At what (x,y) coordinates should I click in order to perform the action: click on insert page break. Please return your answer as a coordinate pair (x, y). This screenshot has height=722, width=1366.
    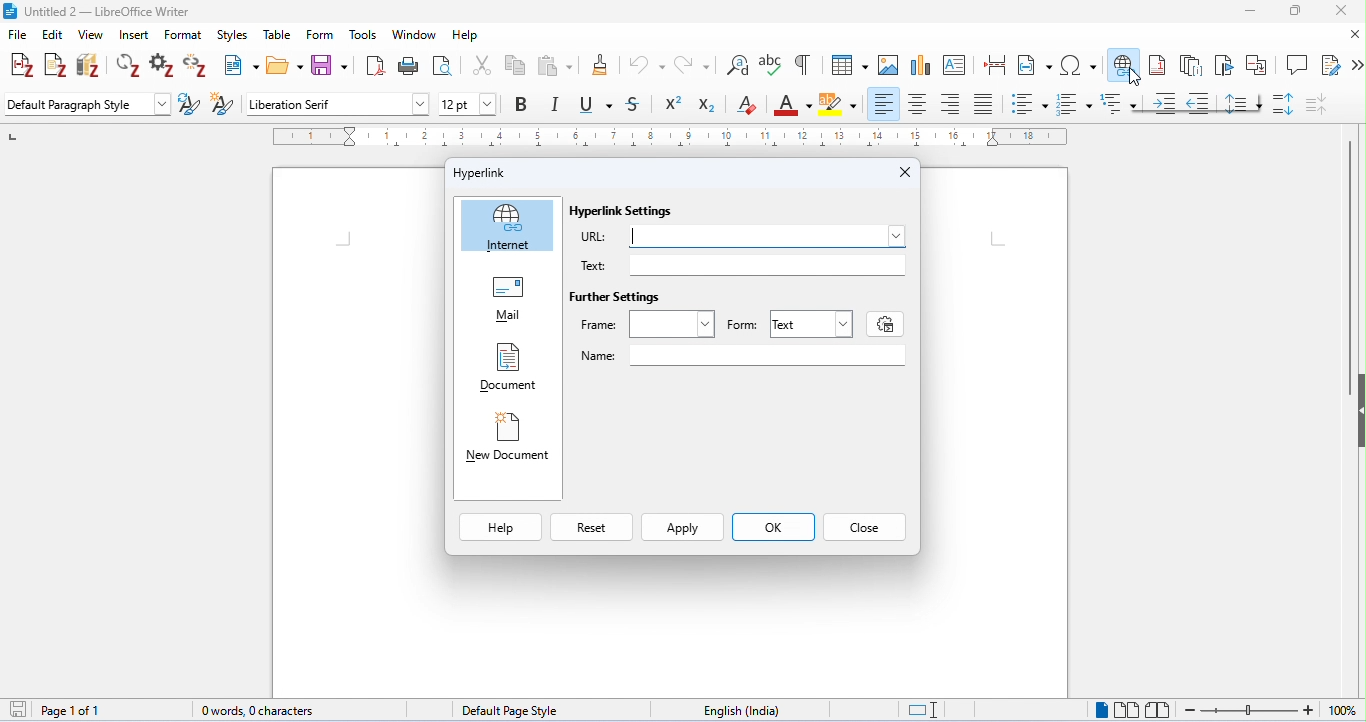
    Looking at the image, I should click on (995, 64).